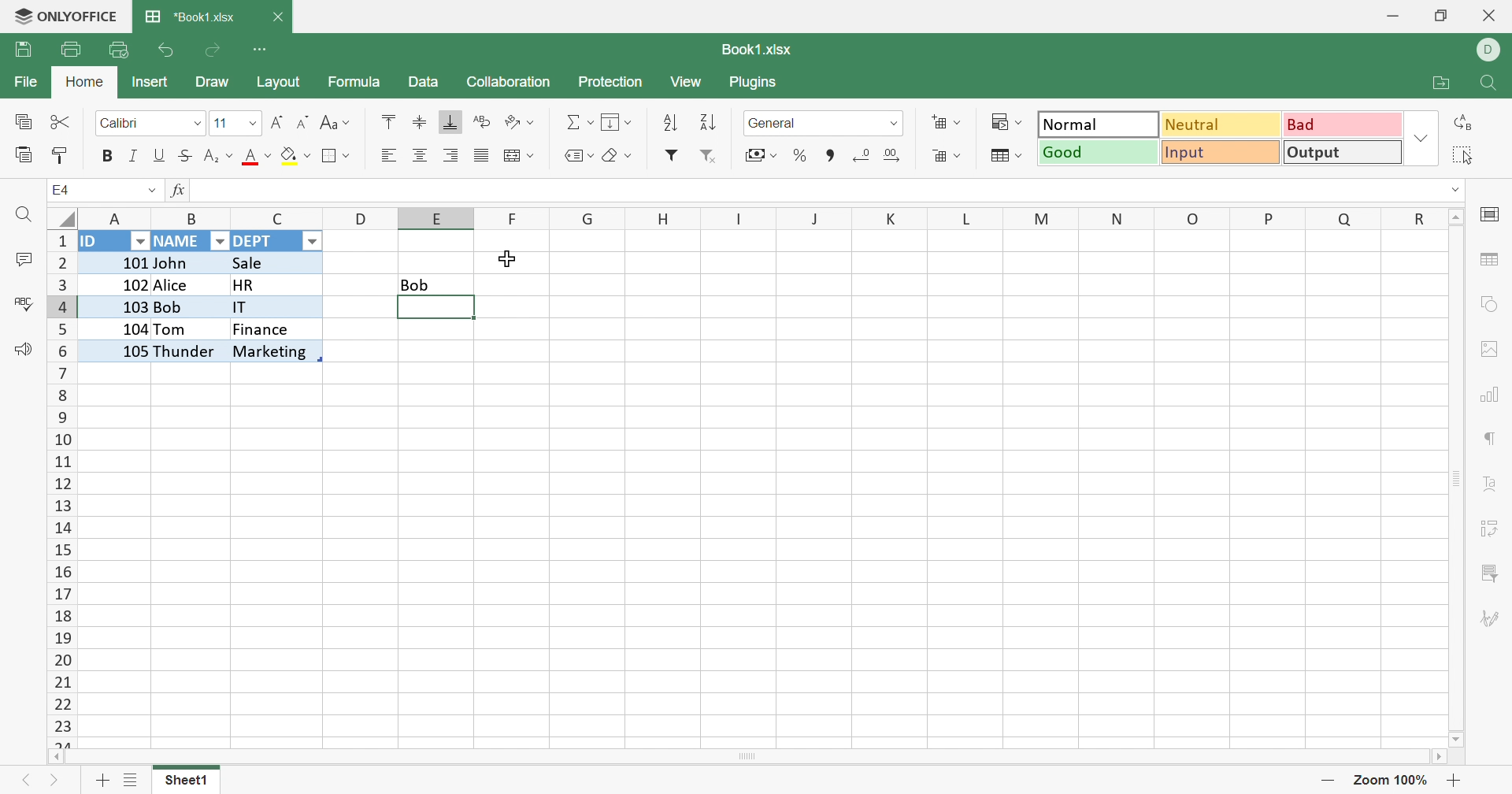 The height and width of the screenshot is (794, 1512). I want to click on Orientation, so click(517, 121).